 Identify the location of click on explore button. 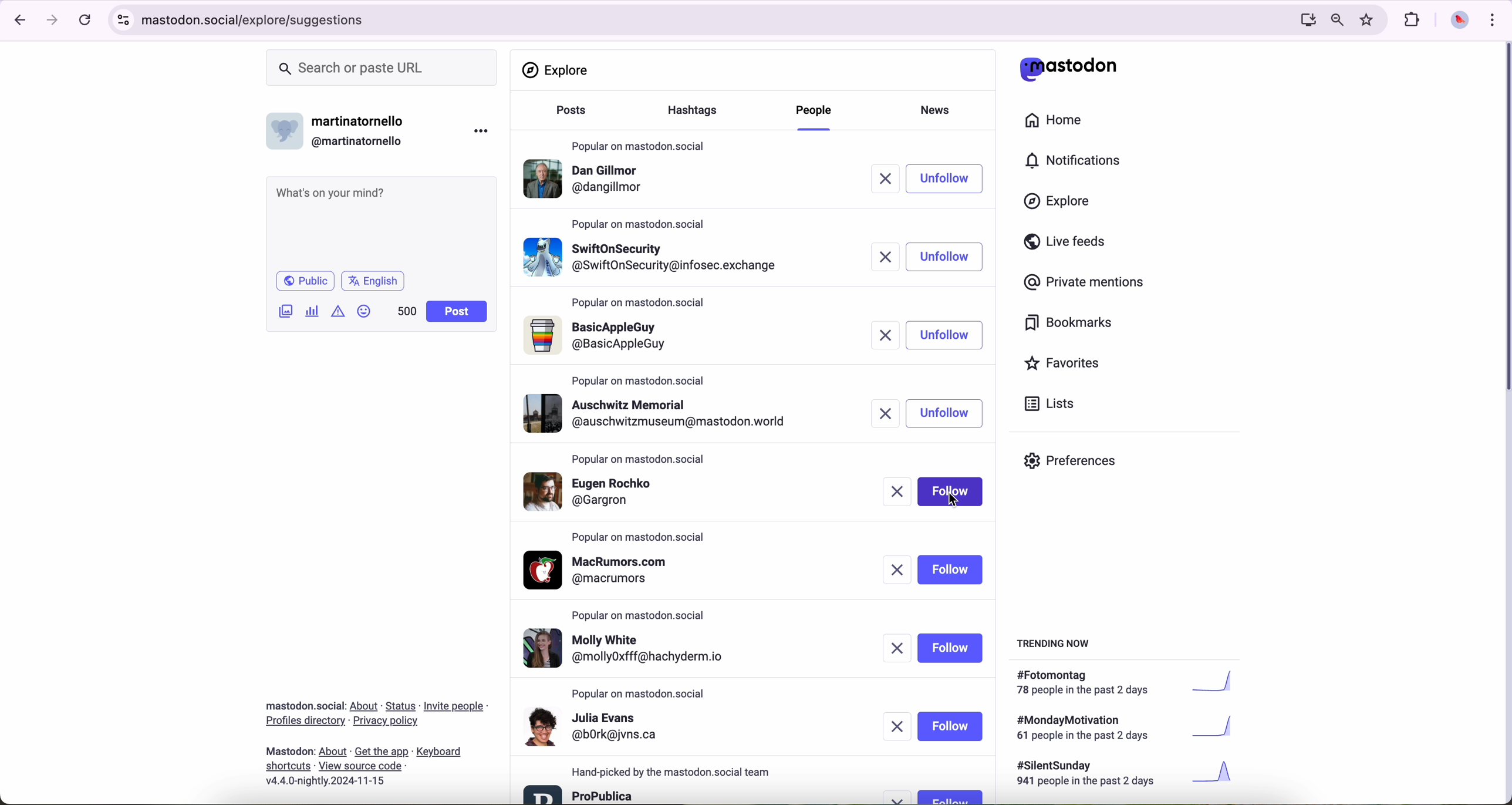
(1060, 207).